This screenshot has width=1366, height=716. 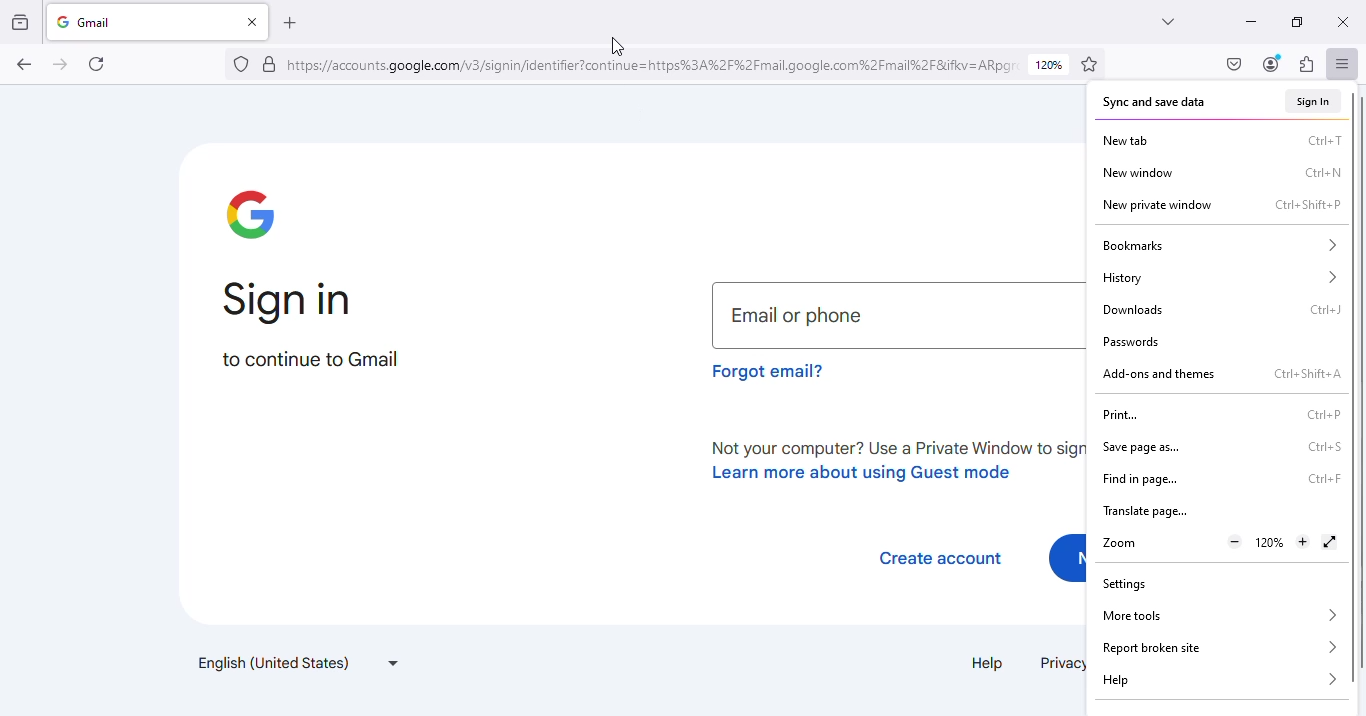 I want to click on history, so click(x=1219, y=278).